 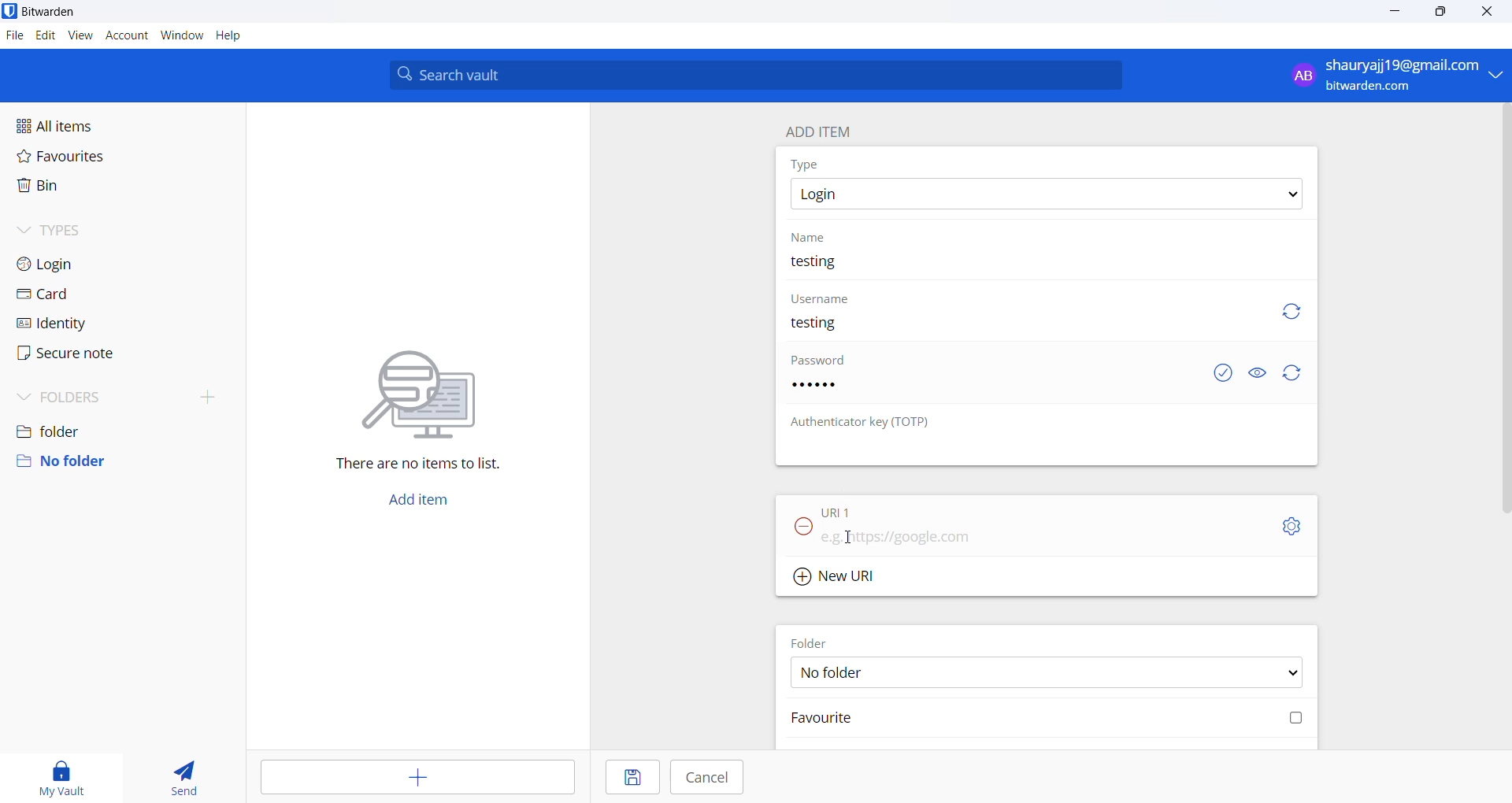 What do you see at coordinates (806, 164) in the screenshot?
I see `type heading` at bounding box center [806, 164].